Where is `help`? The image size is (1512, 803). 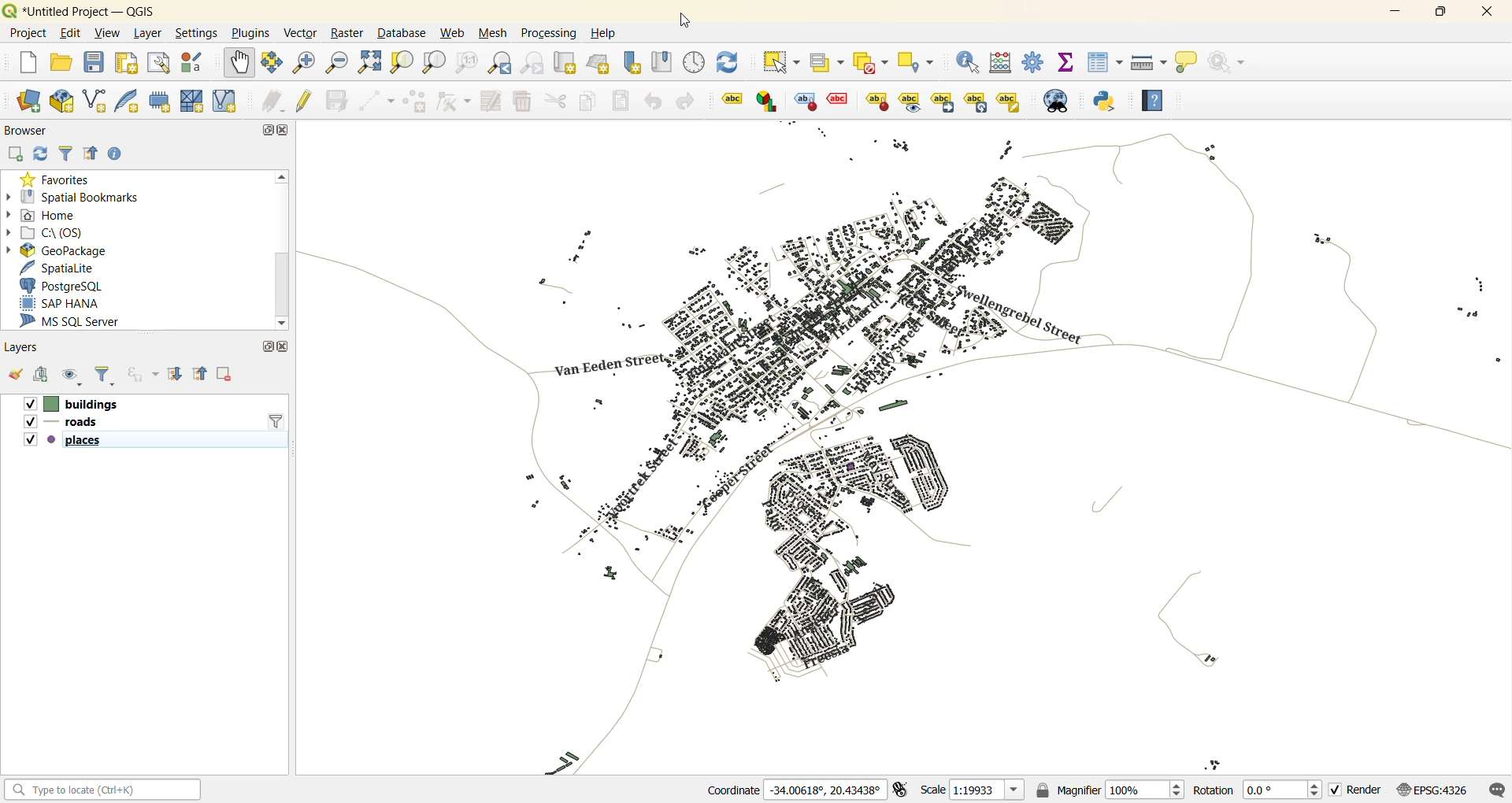
help is located at coordinates (603, 33).